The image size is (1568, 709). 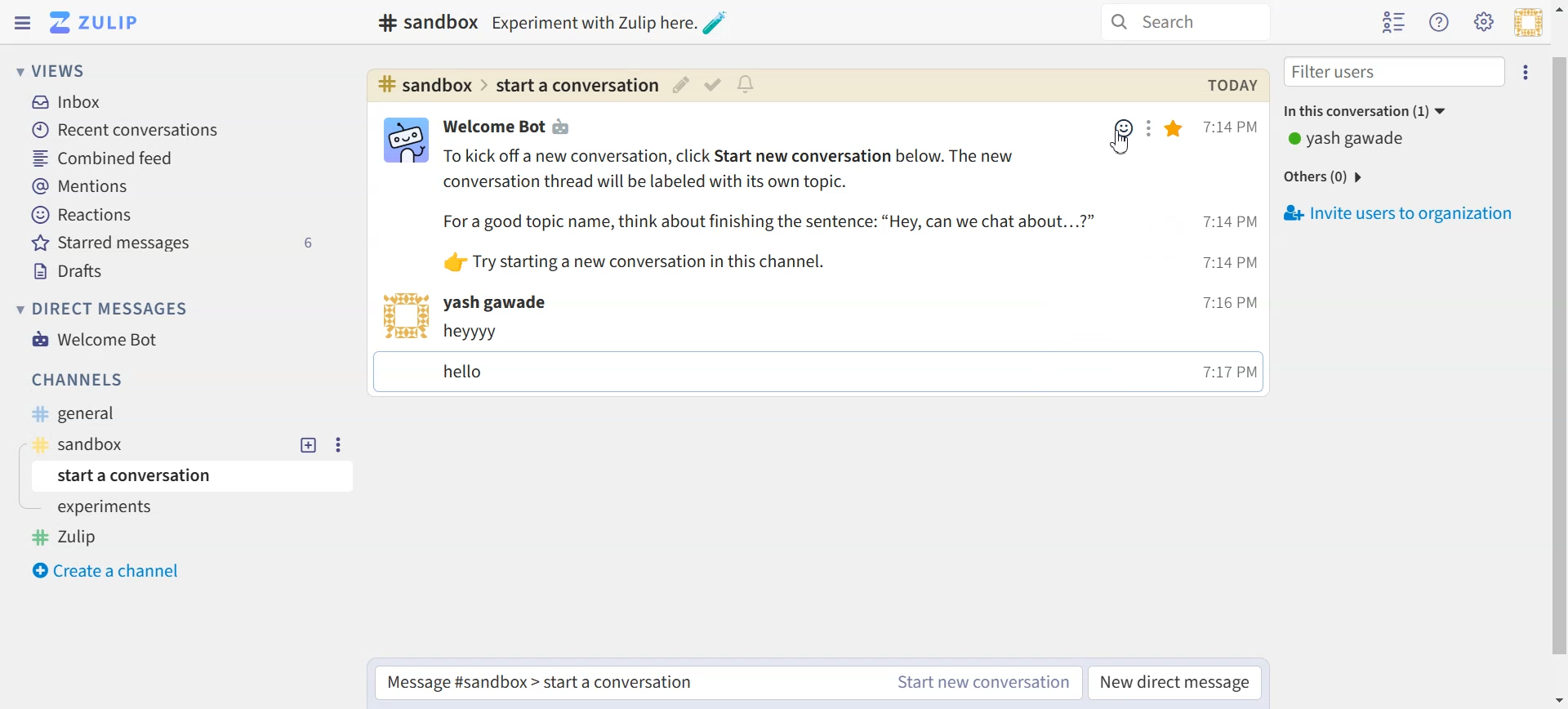 I want to click on Channels, so click(x=80, y=380).